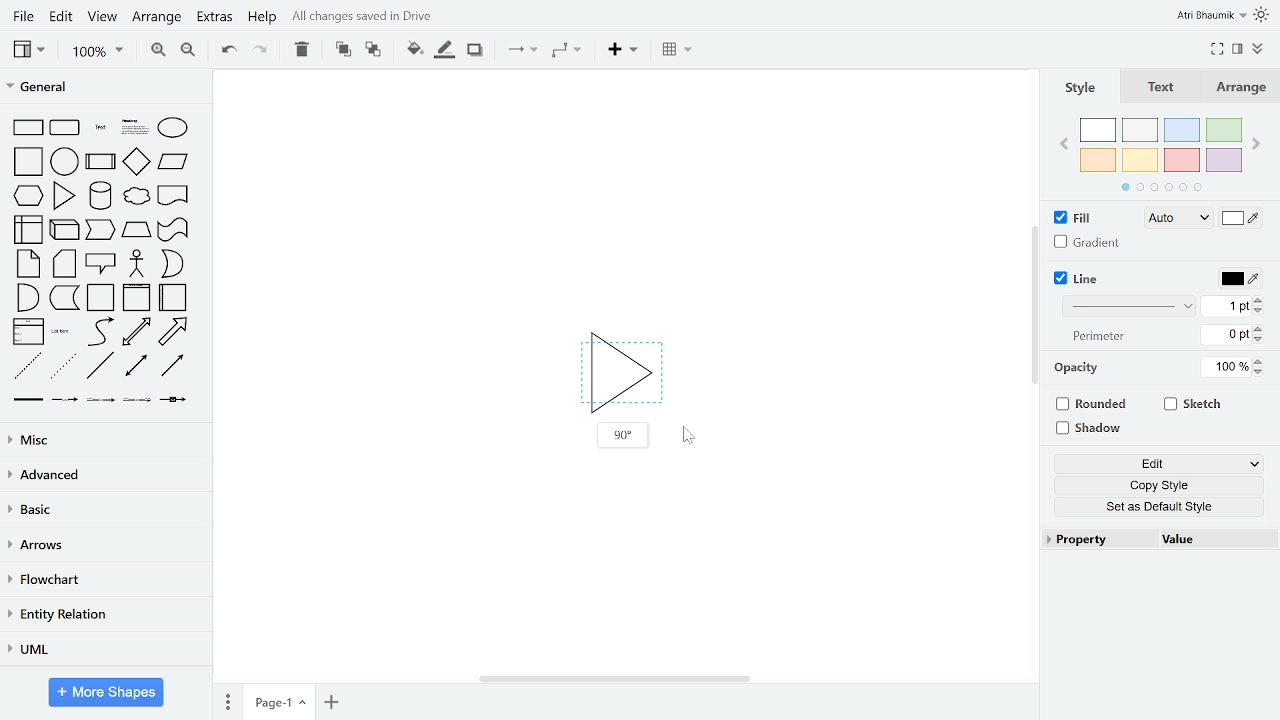 This screenshot has height=720, width=1280. Describe the element at coordinates (177, 331) in the screenshot. I see `arrow` at that location.